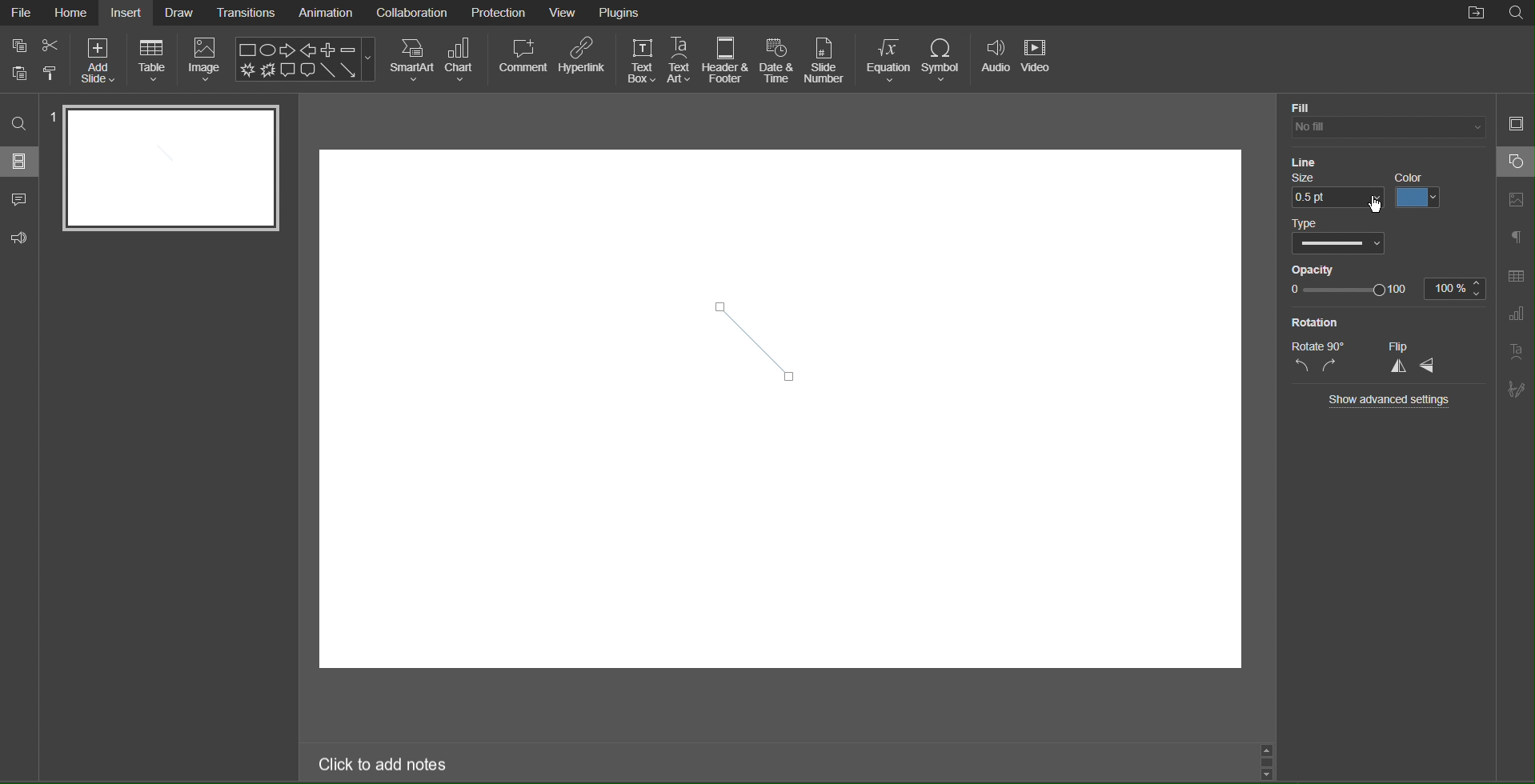  I want to click on Size, so click(1310, 178).